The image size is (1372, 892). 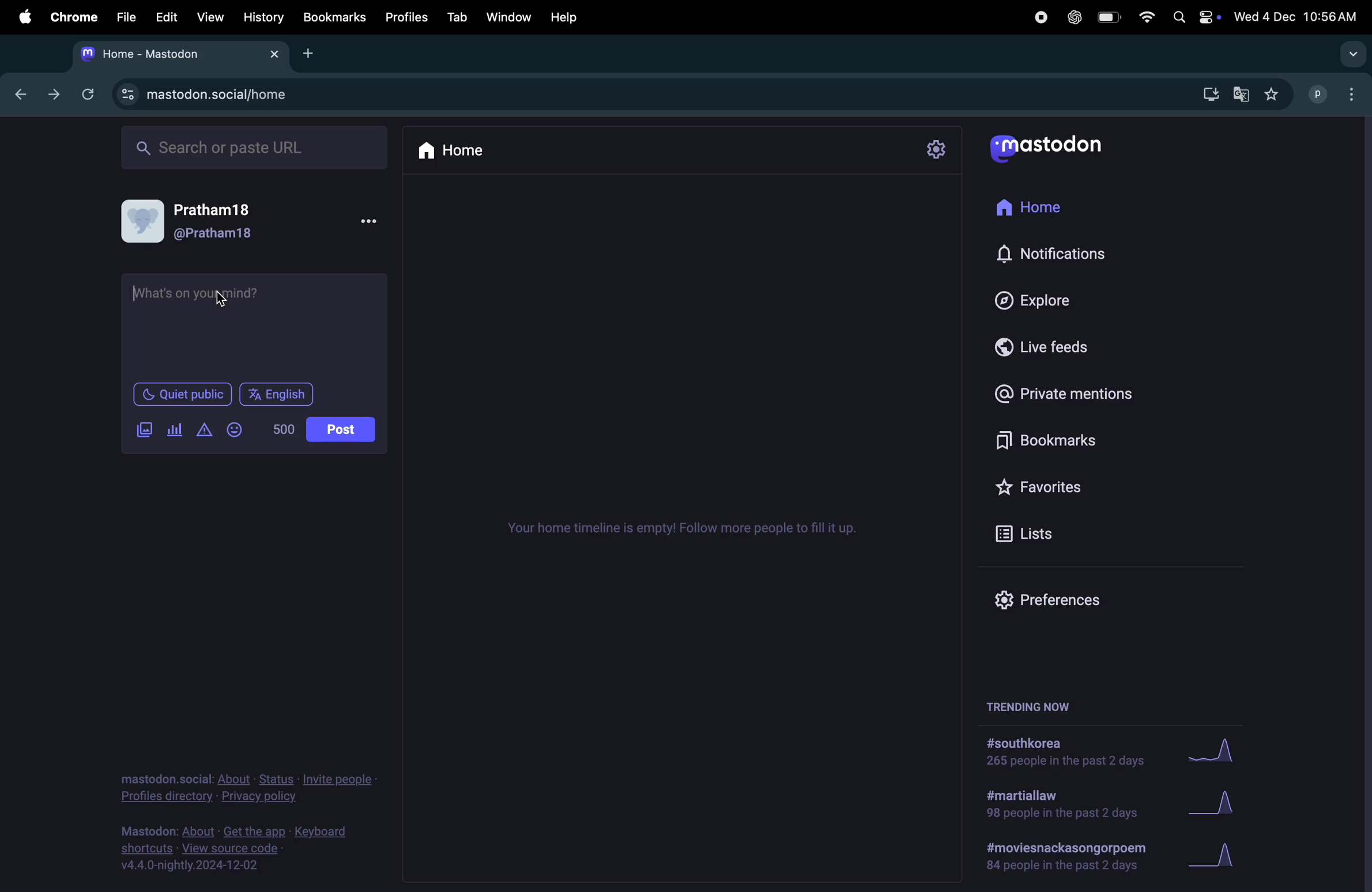 I want to click on hlep, so click(x=569, y=17).